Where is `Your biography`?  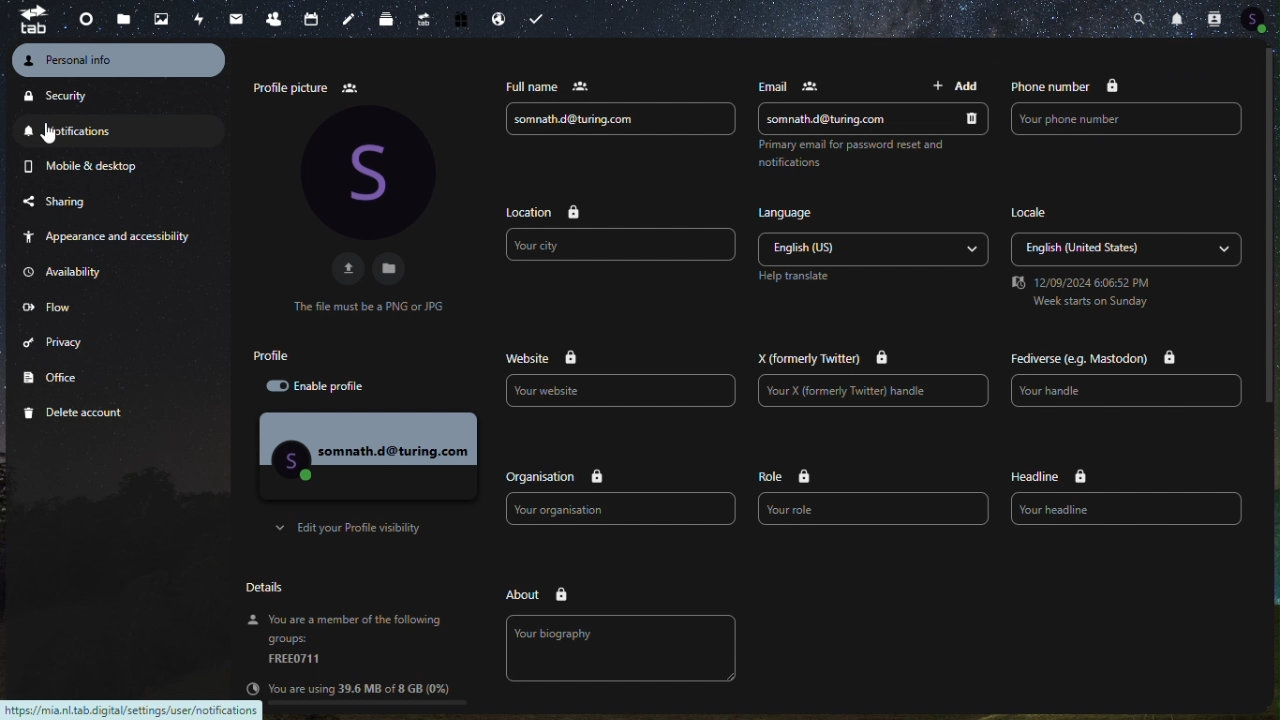
Your biography is located at coordinates (623, 647).